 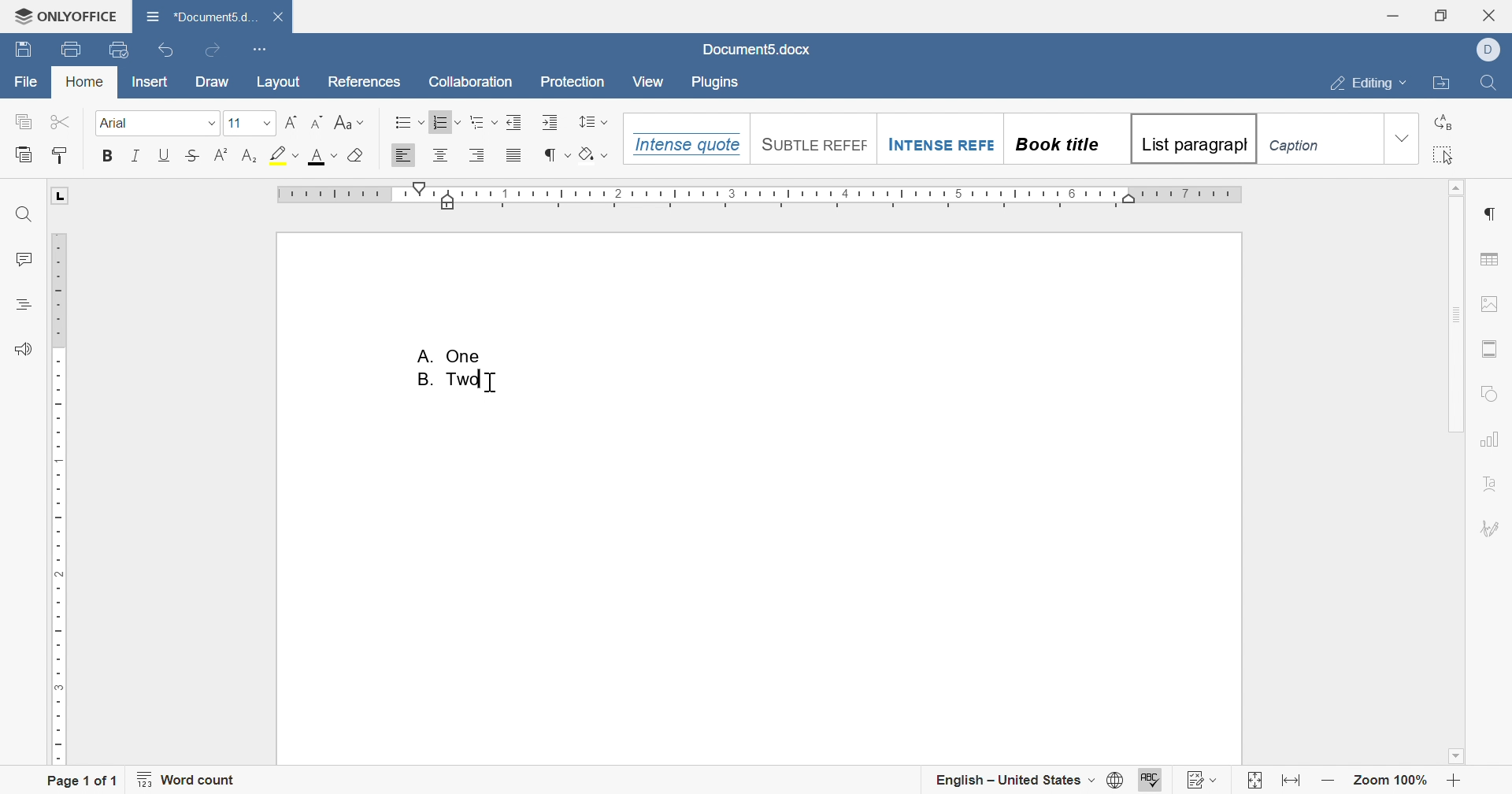 I want to click on font size, so click(x=234, y=123).